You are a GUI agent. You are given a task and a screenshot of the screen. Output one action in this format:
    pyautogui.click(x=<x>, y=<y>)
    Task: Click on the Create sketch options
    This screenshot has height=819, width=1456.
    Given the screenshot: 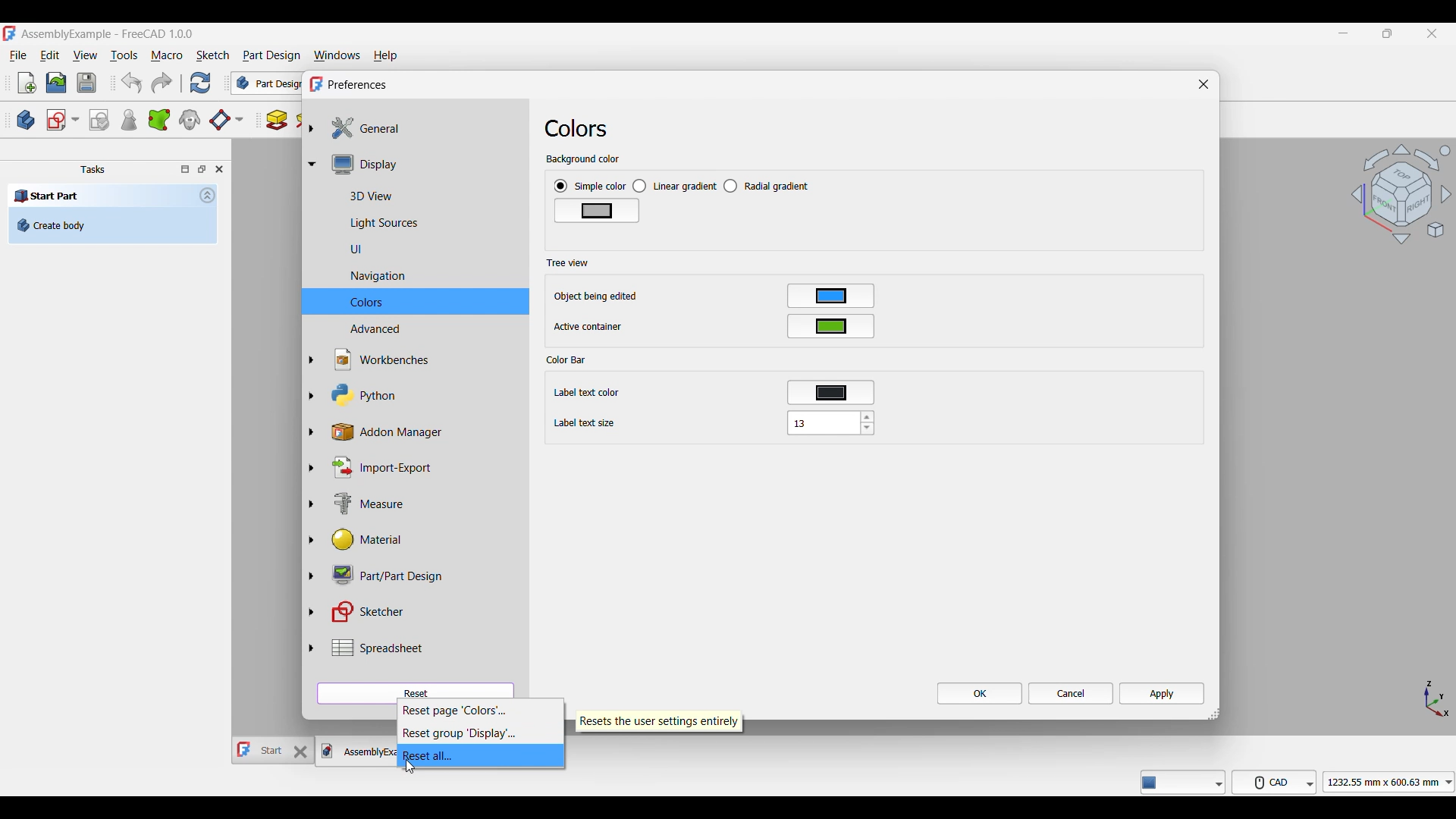 What is the action you would take?
    pyautogui.click(x=62, y=121)
    